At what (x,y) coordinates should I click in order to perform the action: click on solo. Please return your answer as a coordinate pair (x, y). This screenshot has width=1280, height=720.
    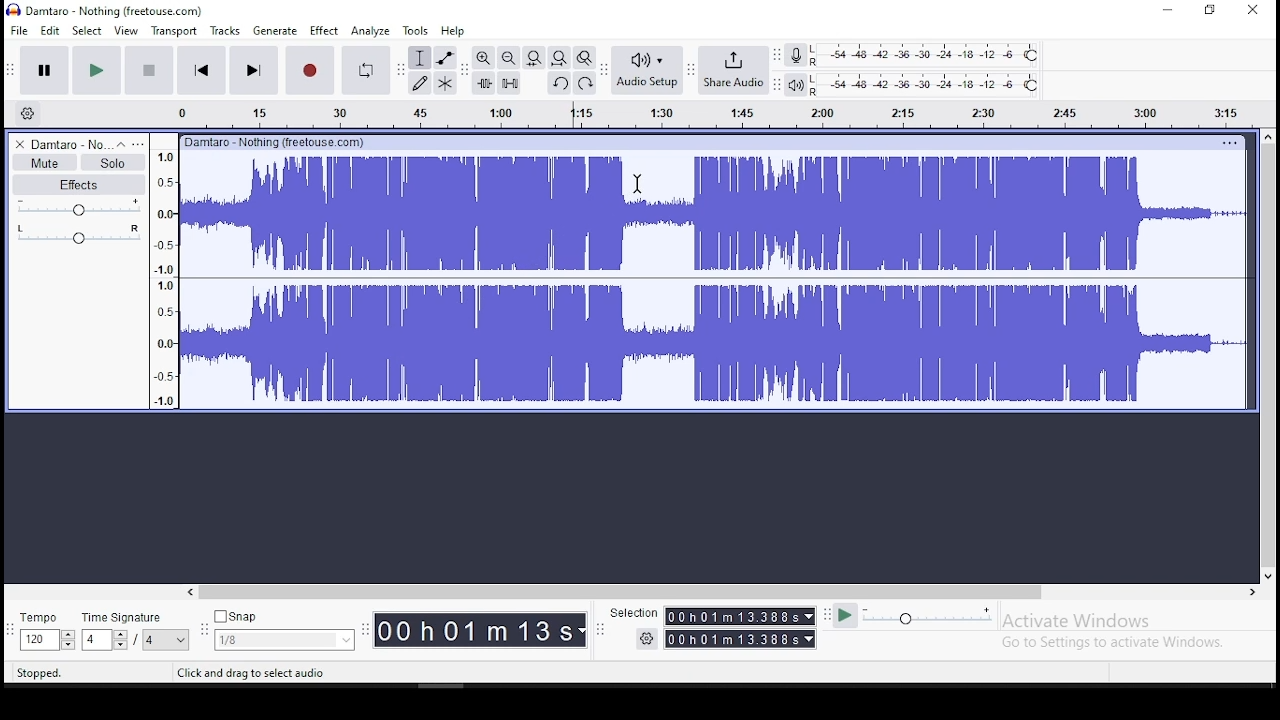
    Looking at the image, I should click on (113, 162).